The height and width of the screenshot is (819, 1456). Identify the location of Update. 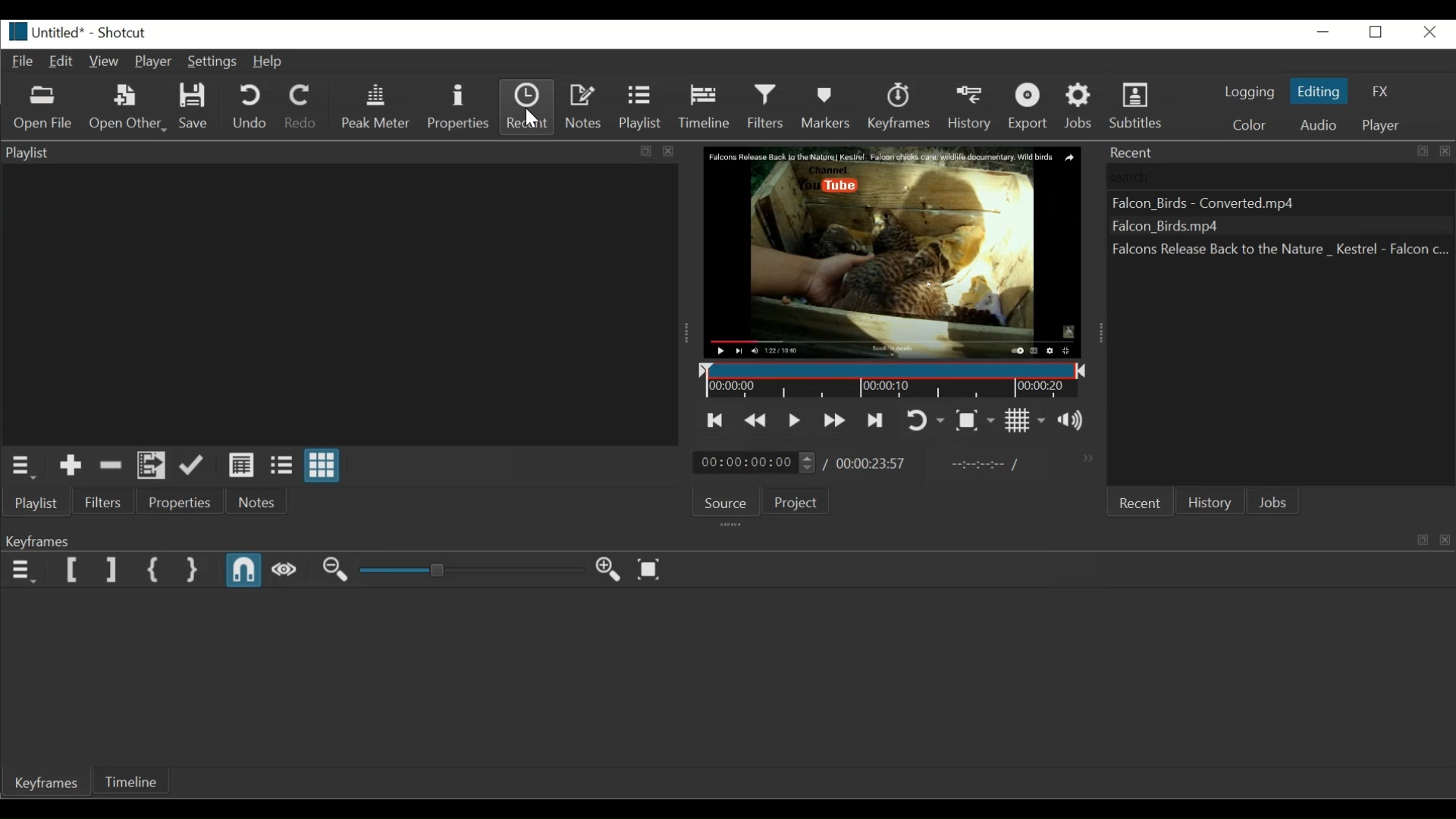
(192, 466).